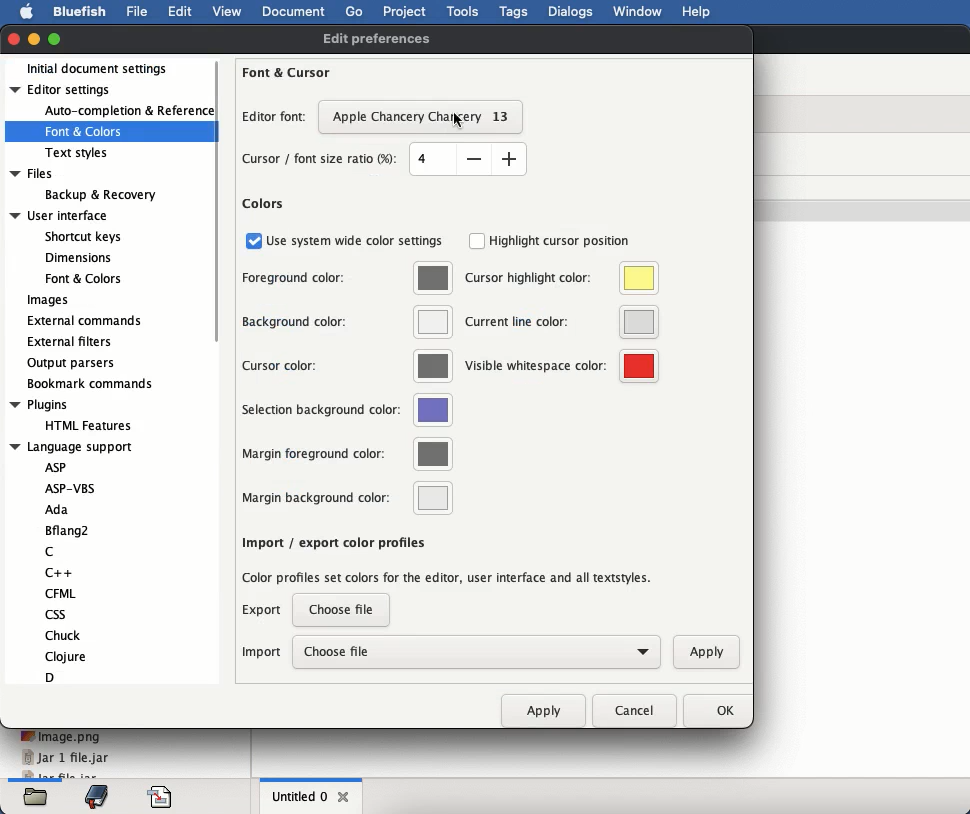  I want to click on bluefish, so click(81, 14).